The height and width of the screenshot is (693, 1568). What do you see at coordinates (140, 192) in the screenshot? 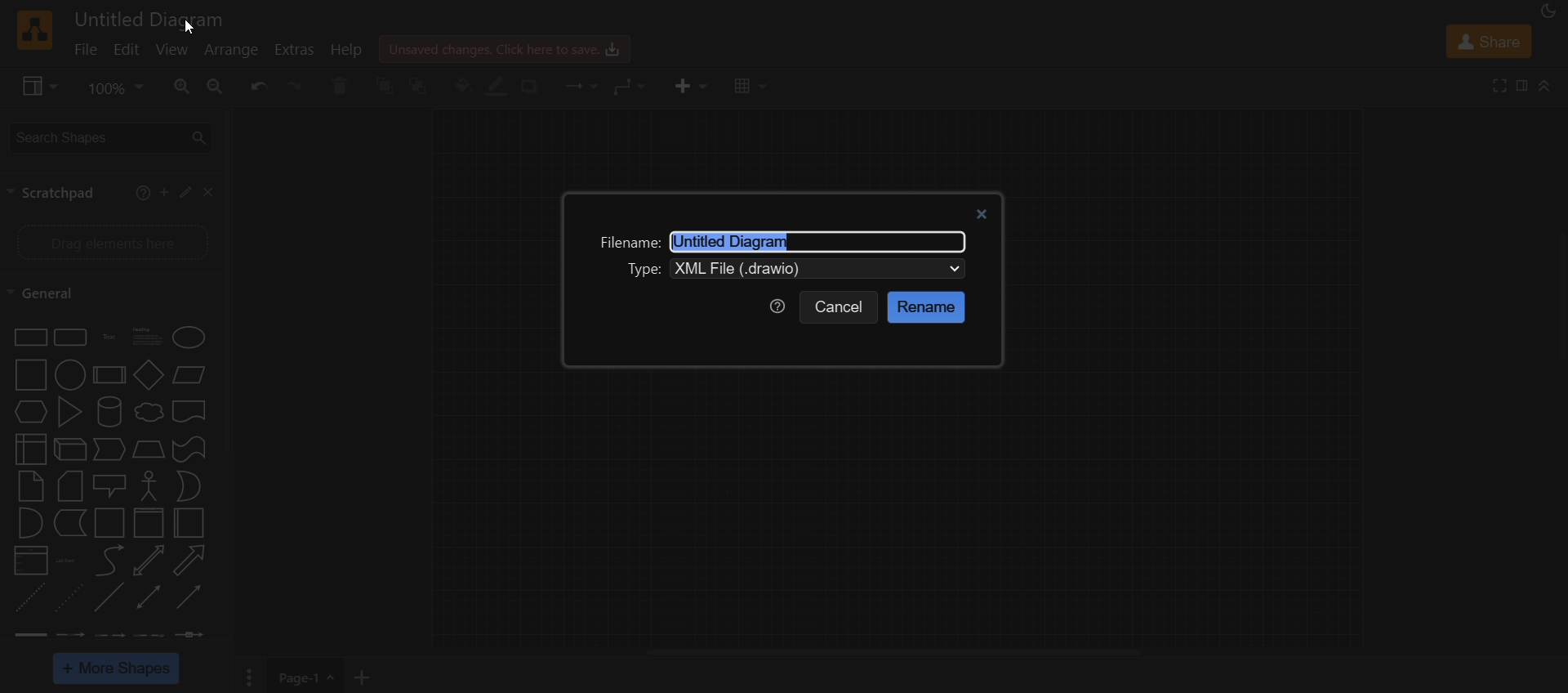
I see `help` at bounding box center [140, 192].